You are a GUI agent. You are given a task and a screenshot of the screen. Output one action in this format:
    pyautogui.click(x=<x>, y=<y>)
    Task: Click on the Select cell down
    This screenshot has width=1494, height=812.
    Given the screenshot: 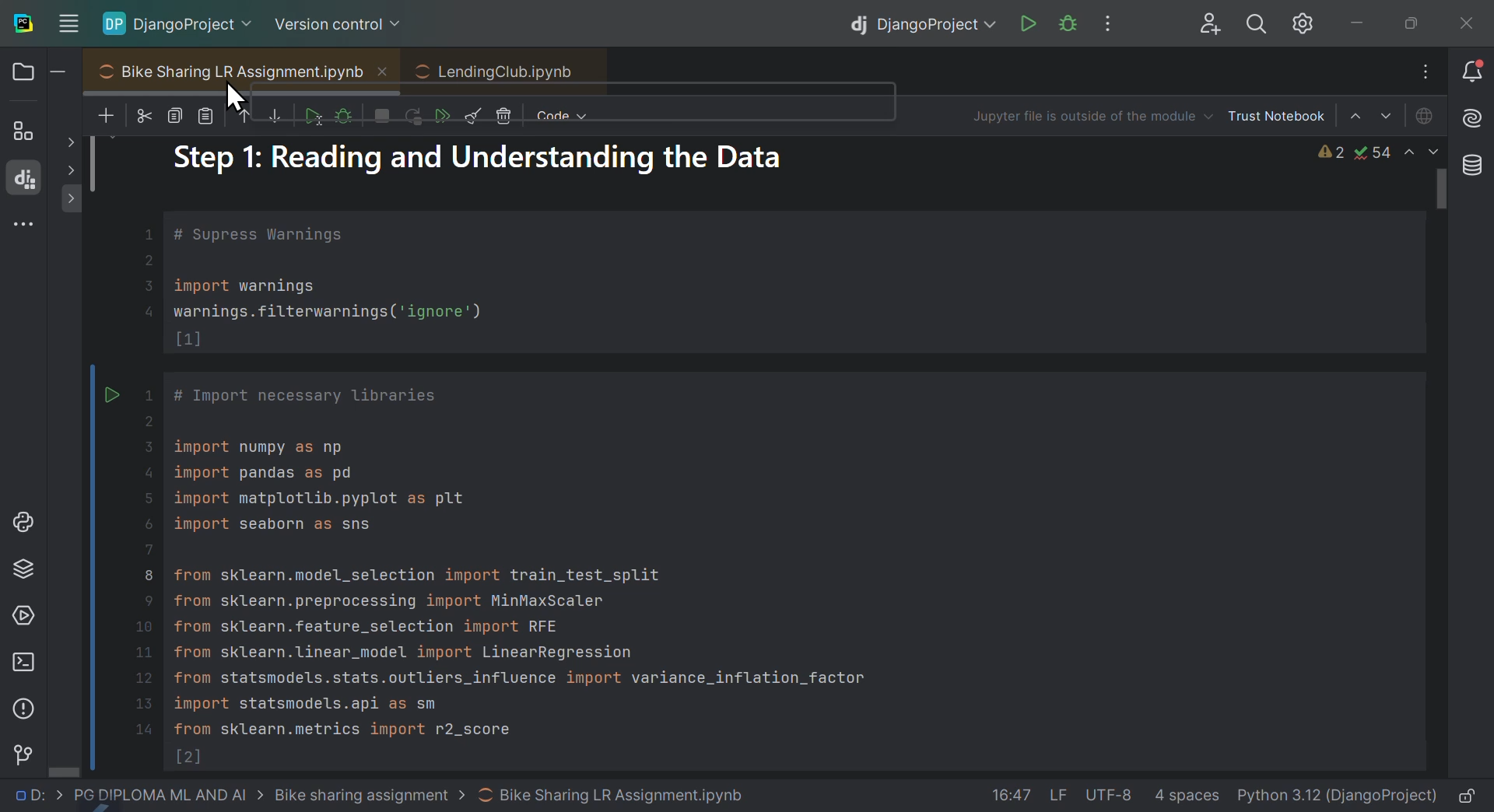 What is the action you would take?
    pyautogui.click(x=1384, y=118)
    